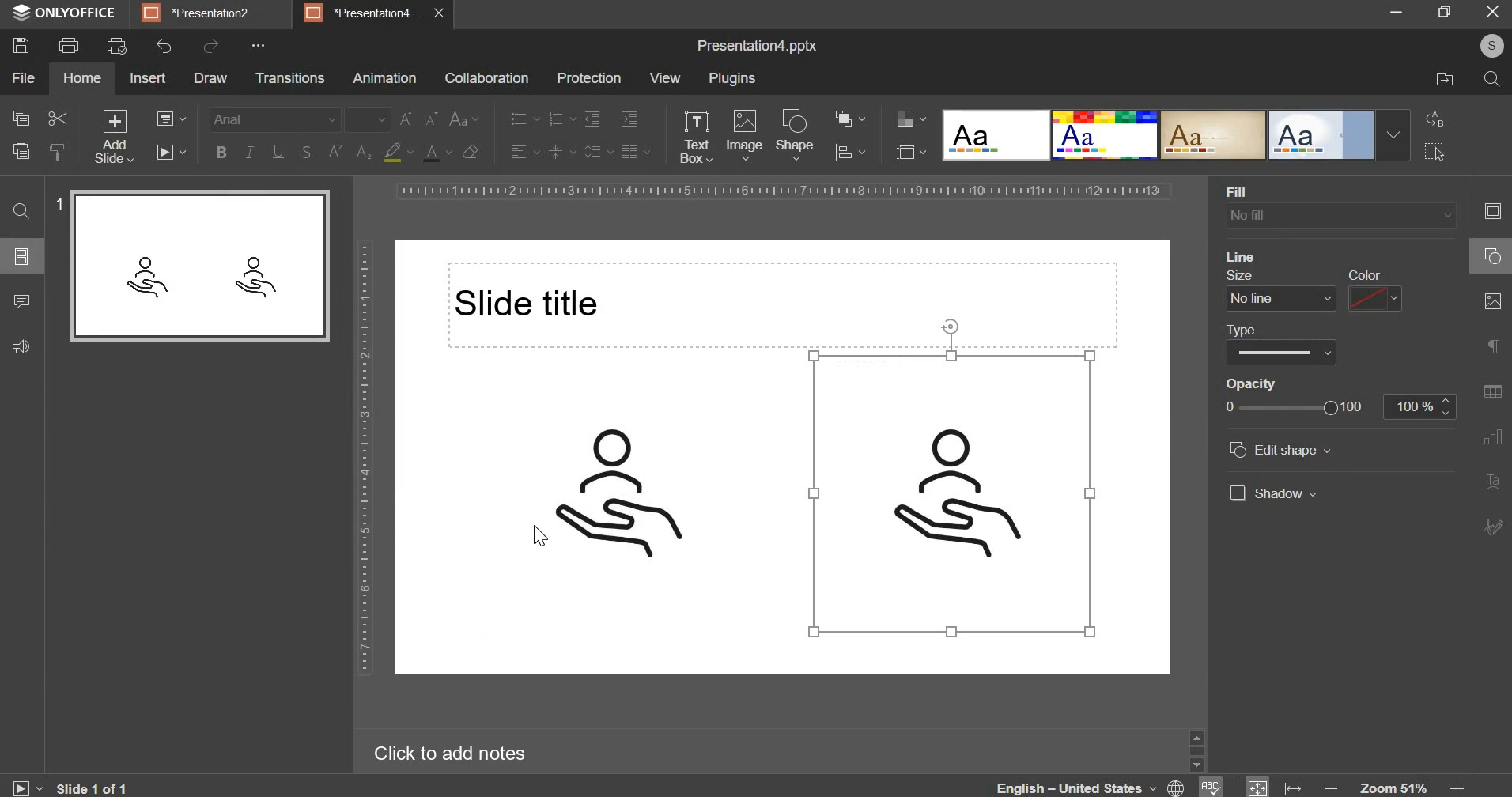 The height and width of the screenshot is (797, 1512). Describe the element at coordinates (448, 754) in the screenshot. I see `Click to add notes` at that location.